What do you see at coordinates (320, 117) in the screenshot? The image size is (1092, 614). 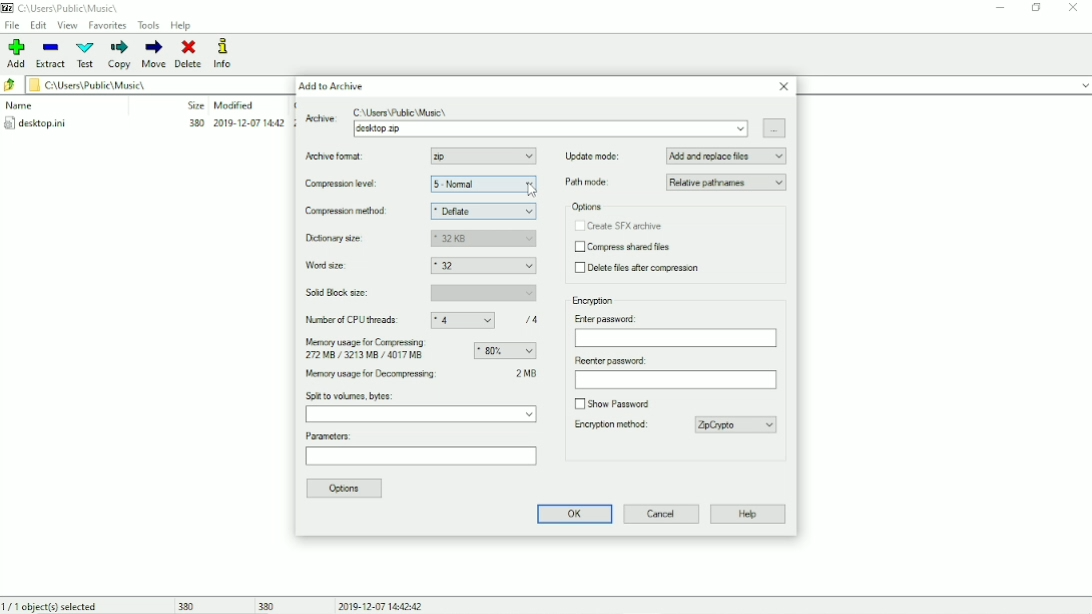 I see `Active` at bounding box center [320, 117].